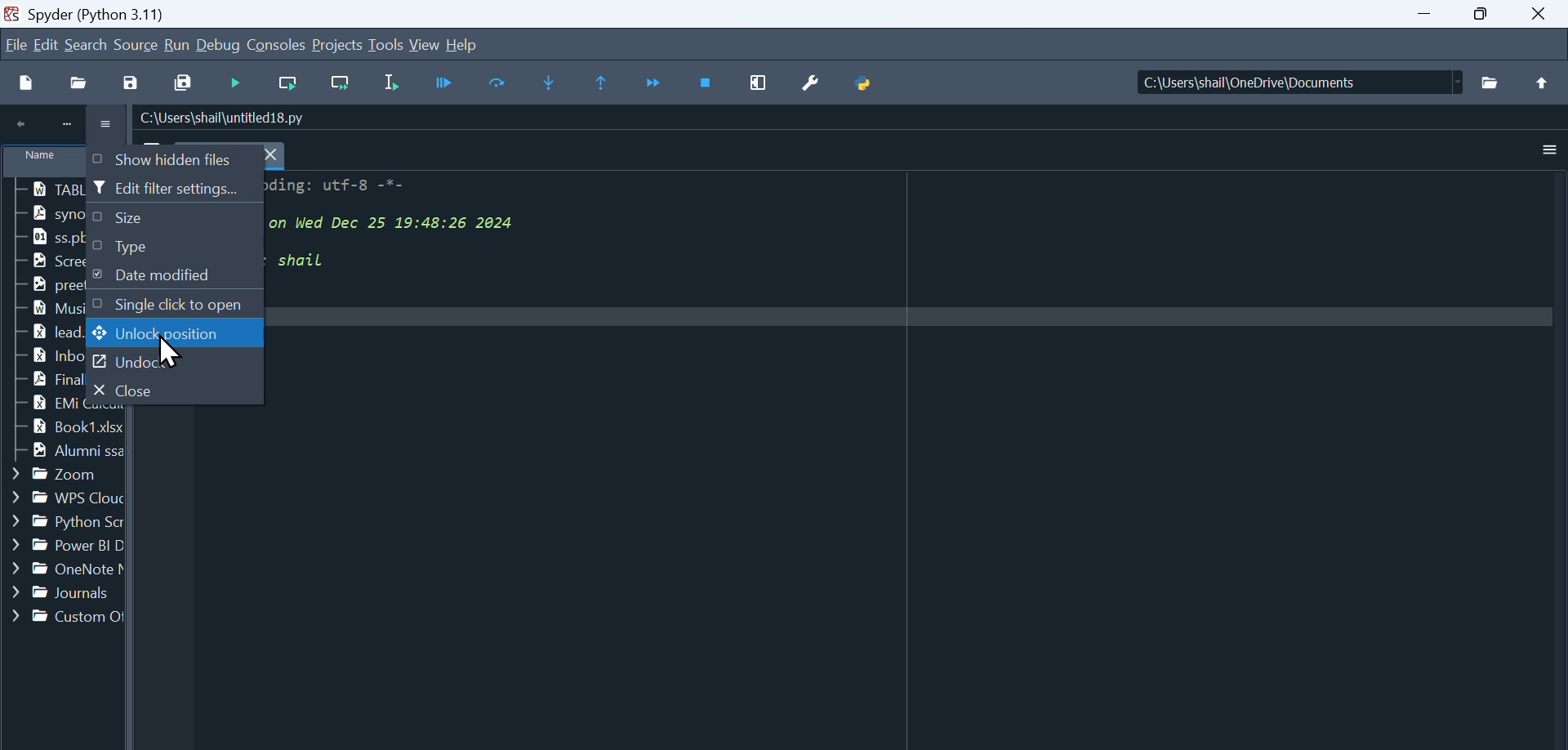 The height and width of the screenshot is (750, 1568). Describe the element at coordinates (170, 350) in the screenshot. I see `cursor` at that location.